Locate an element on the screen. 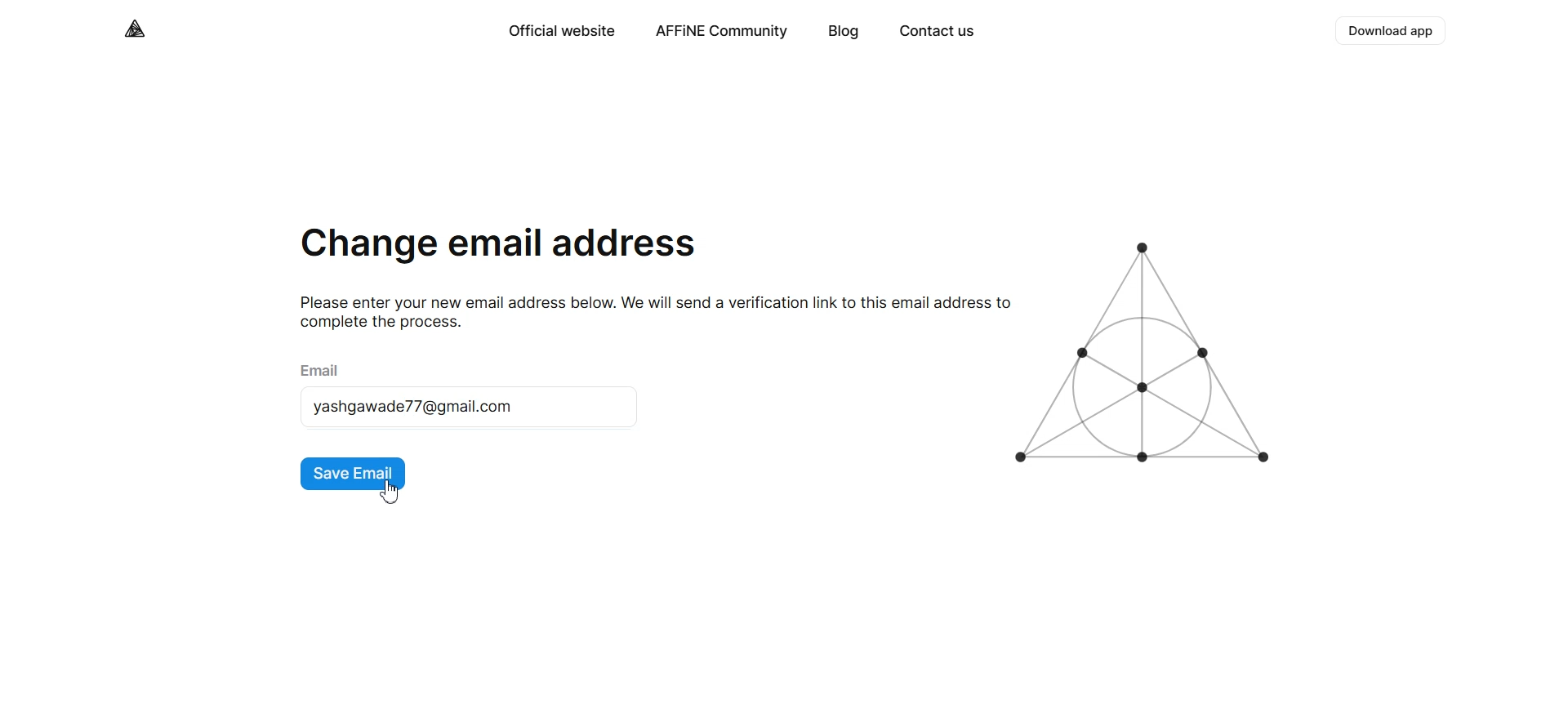  Official website is located at coordinates (560, 31).